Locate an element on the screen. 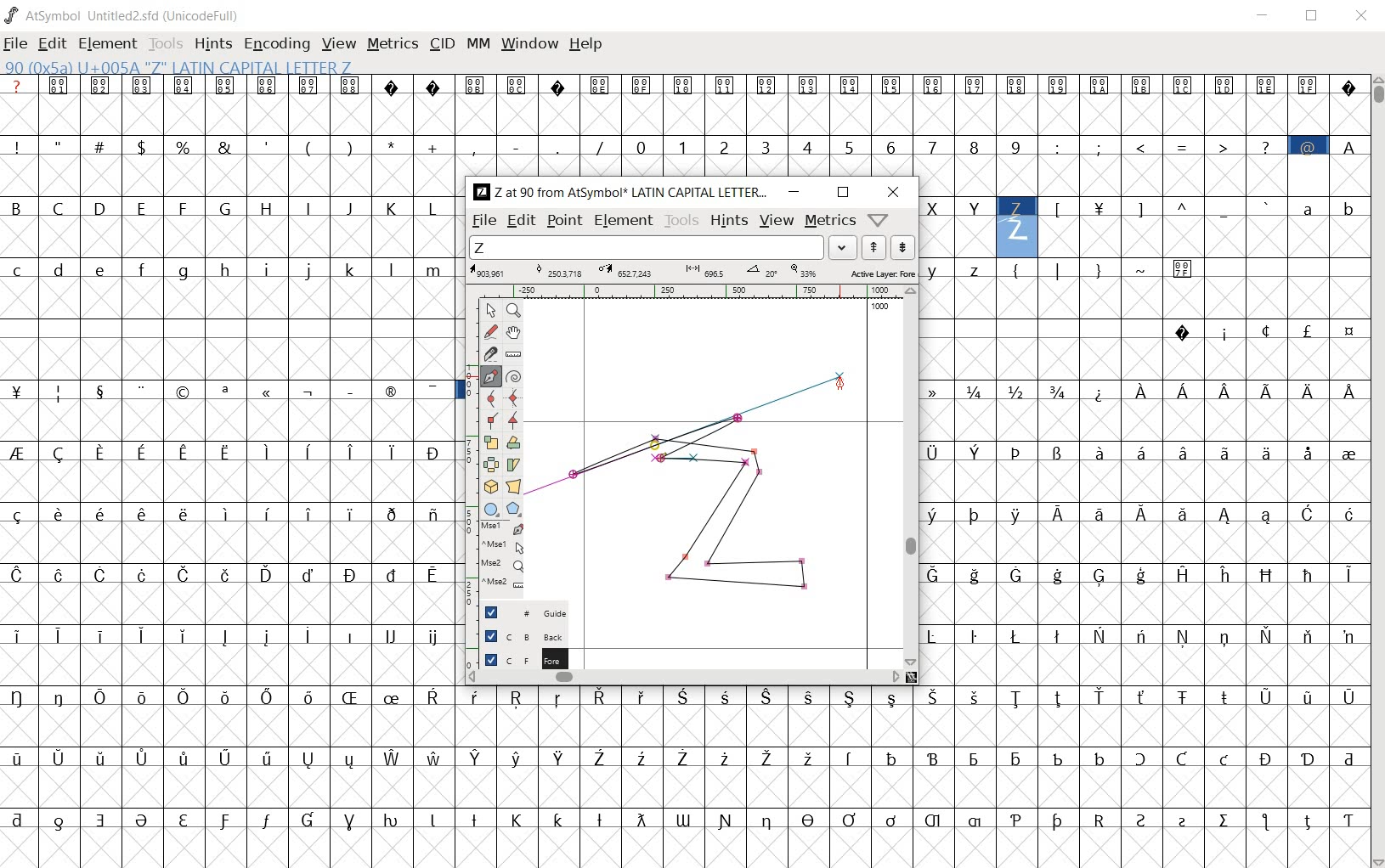  show the previous word on the list is located at coordinates (902, 247).